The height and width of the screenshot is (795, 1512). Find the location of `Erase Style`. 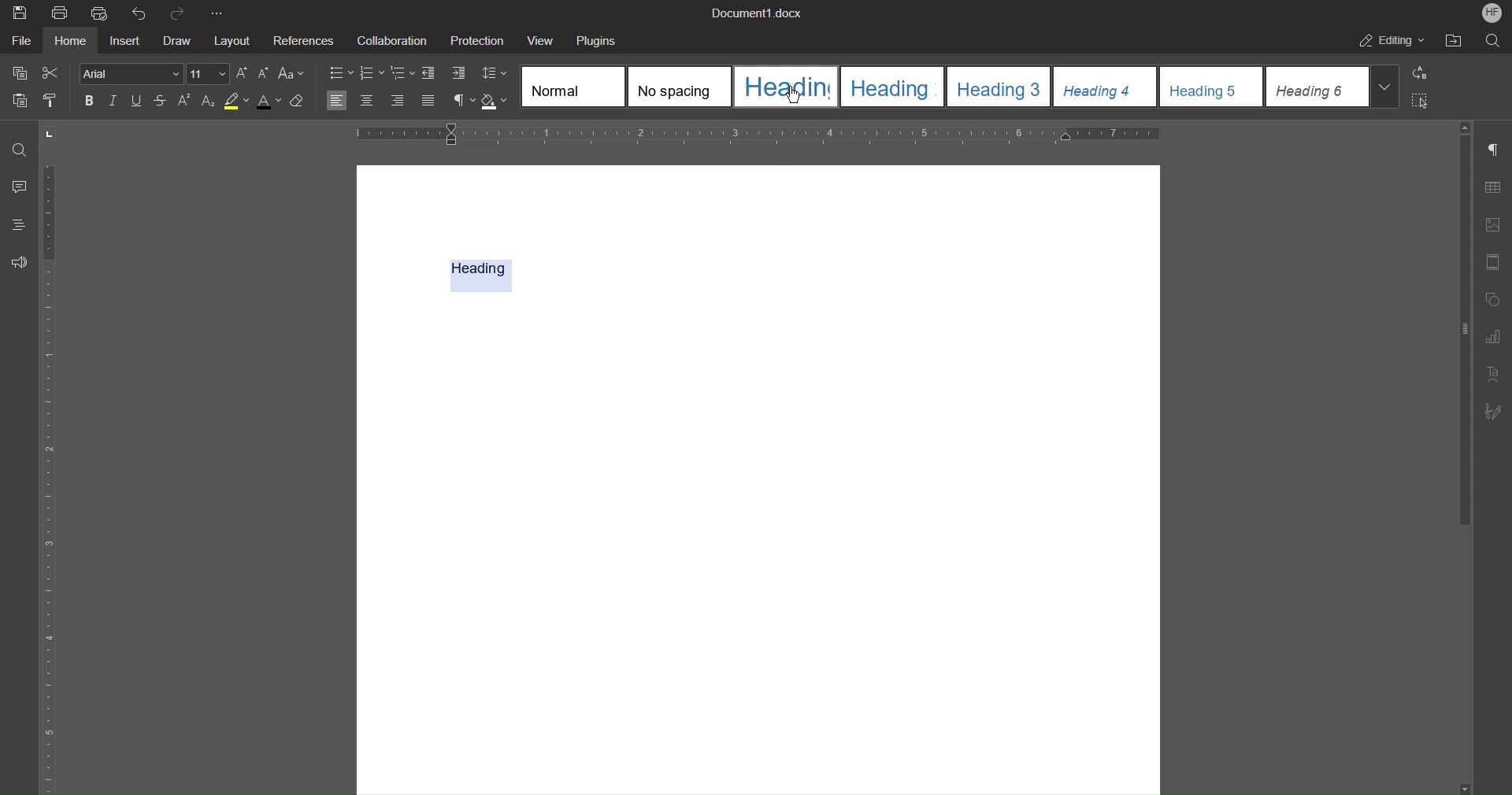

Erase Style is located at coordinates (302, 103).